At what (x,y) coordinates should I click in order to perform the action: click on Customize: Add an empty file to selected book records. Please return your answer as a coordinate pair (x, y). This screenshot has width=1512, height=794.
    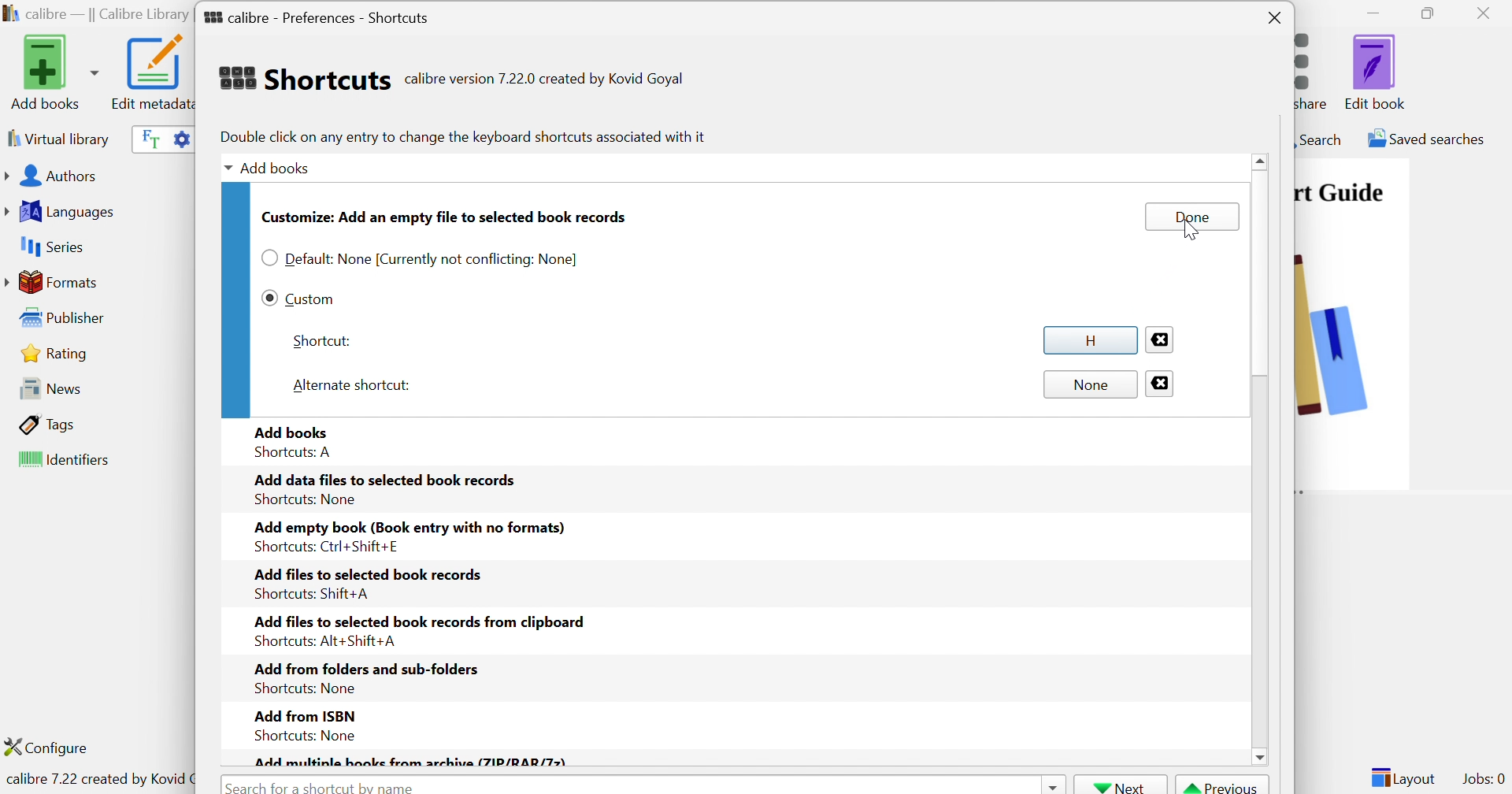
    Looking at the image, I should click on (445, 217).